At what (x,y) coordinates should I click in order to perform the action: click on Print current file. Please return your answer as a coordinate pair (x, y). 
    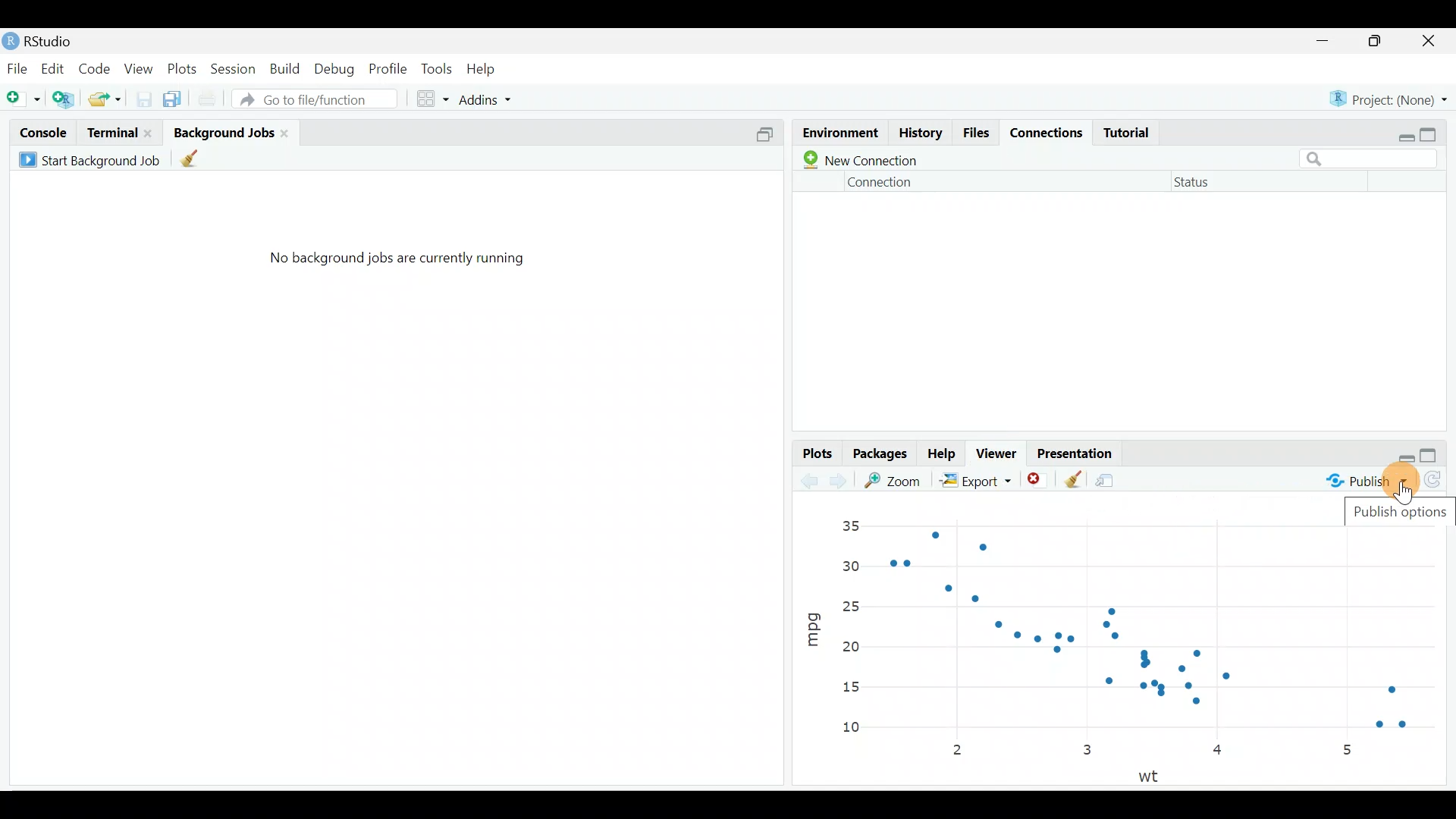
    Looking at the image, I should click on (205, 96).